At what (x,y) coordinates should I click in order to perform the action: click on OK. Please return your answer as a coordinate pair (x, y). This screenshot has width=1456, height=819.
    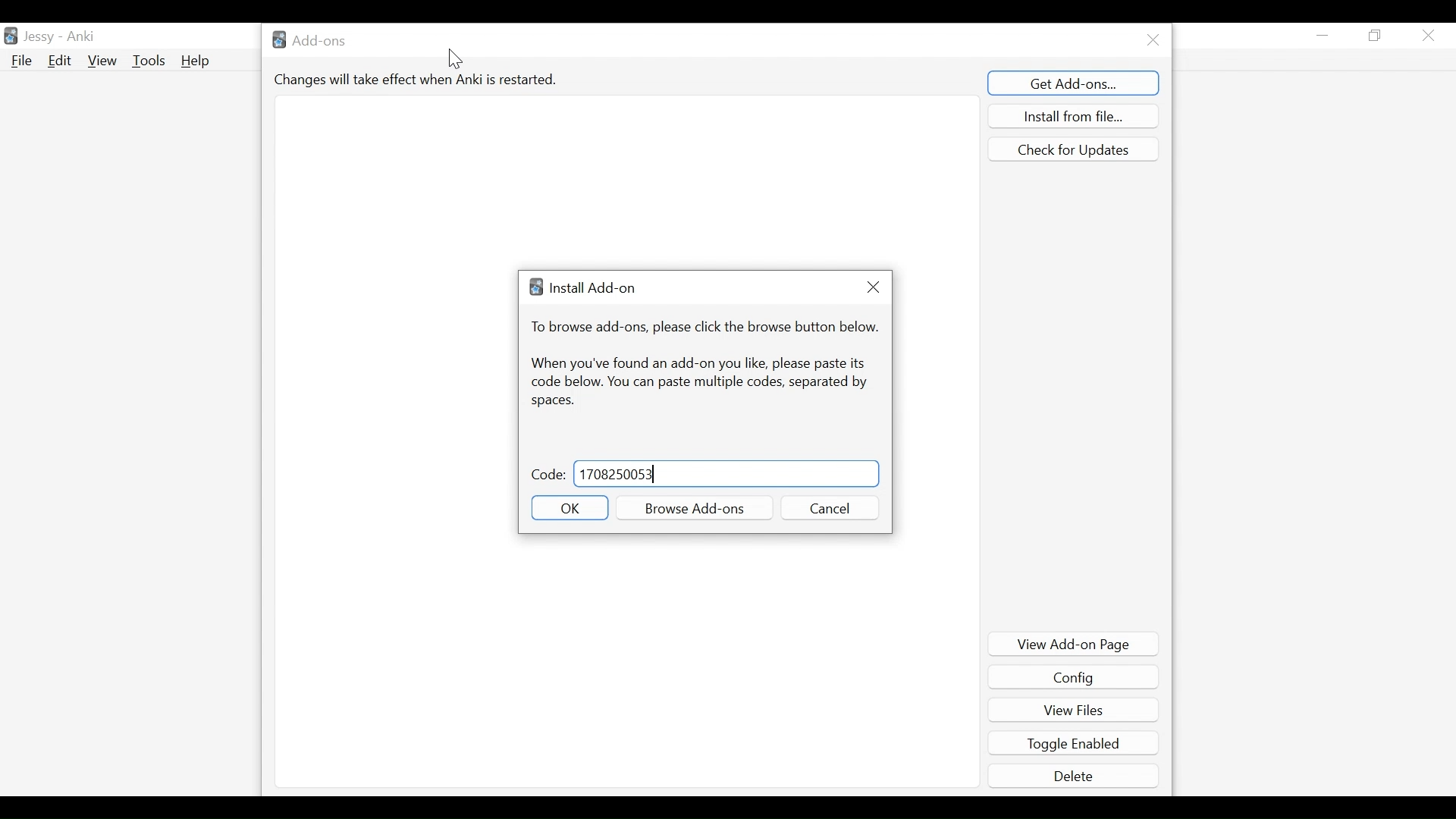
    Looking at the image, I should click on (570, 507).